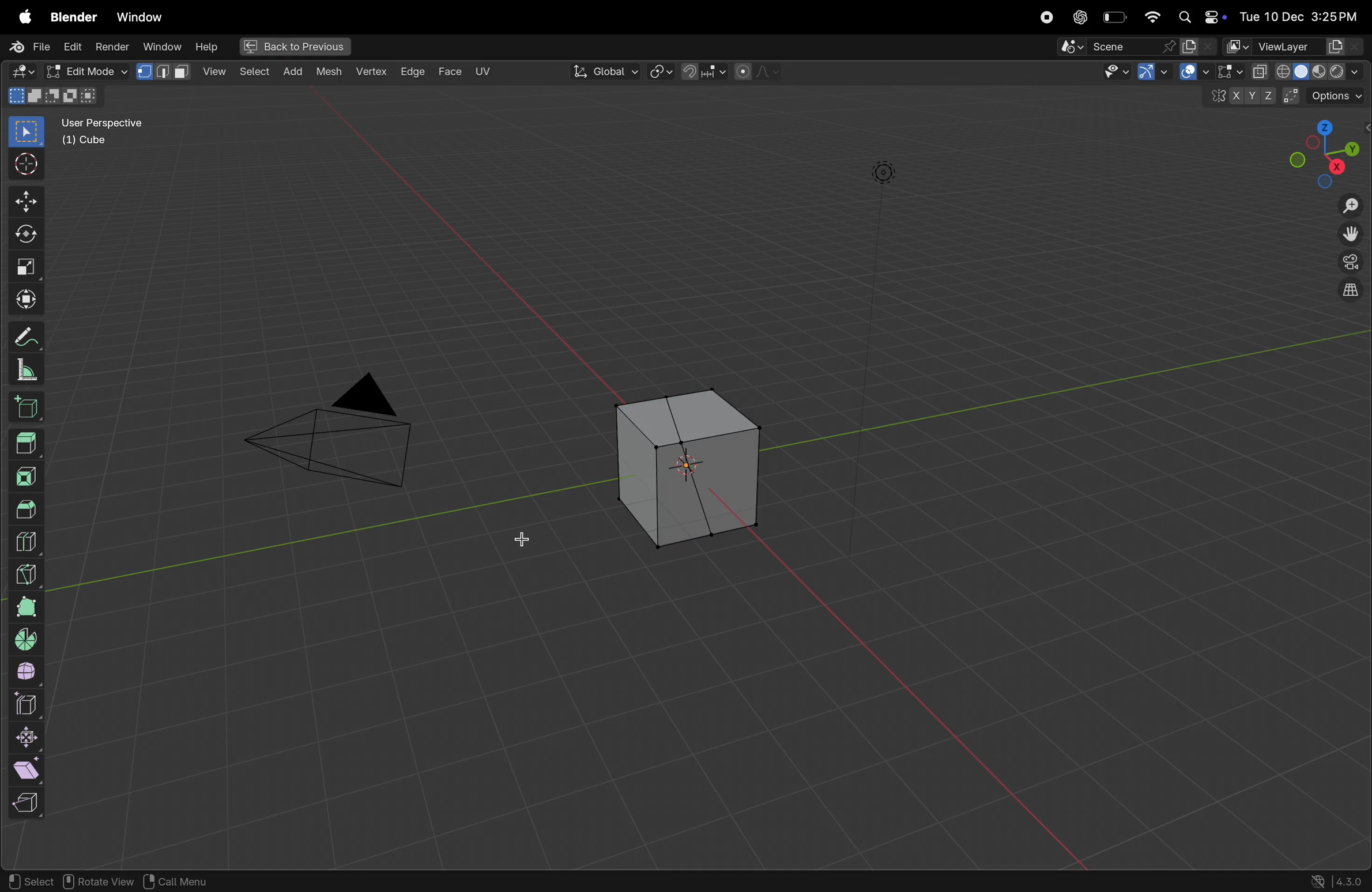 The height and width of the screenshot is (892, 1372). What do you see at coordinates (24, 237) in the screenshot?
I see `transform` at bounding box center [24, 237].